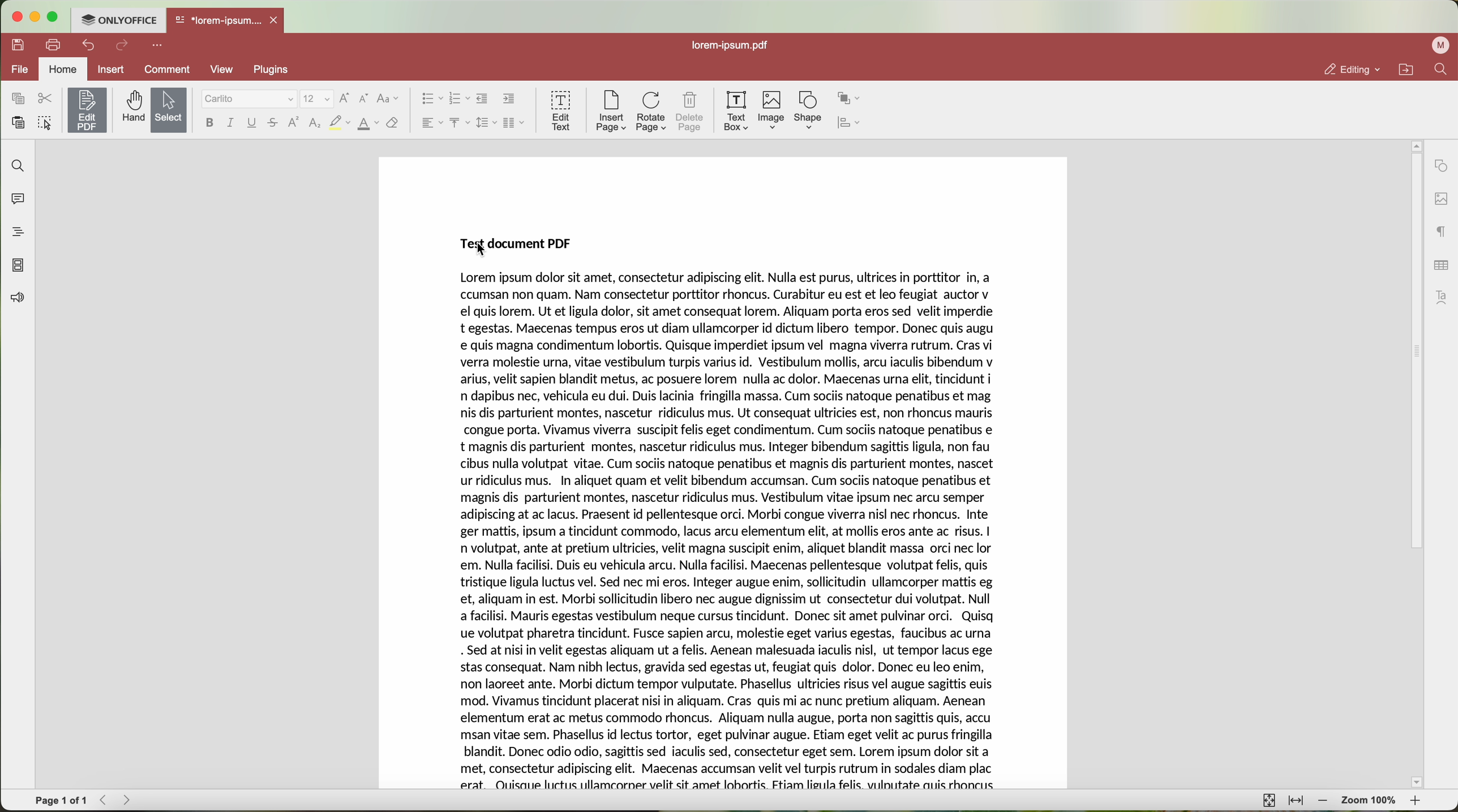 The height and width of the screenshot is (812, 1458). I want to click on scrollbar, so click(1415, 460).